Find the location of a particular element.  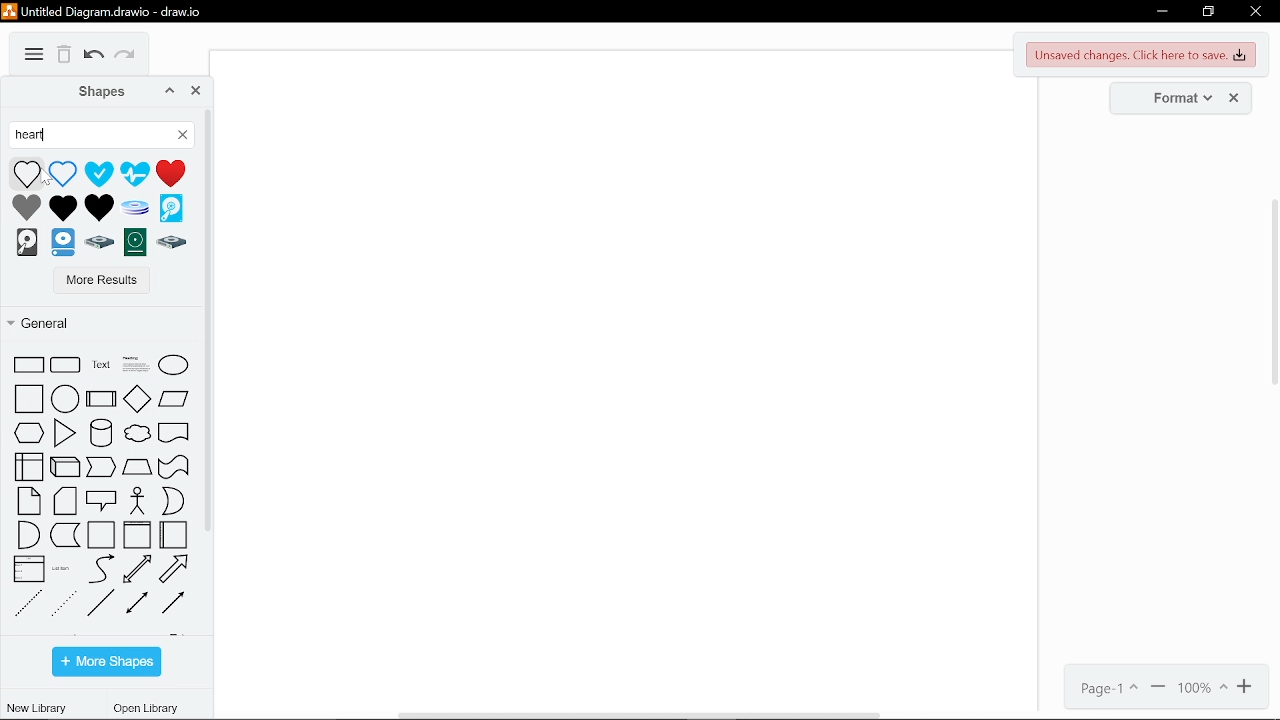

Healthy is located at coordinates (99, 173).